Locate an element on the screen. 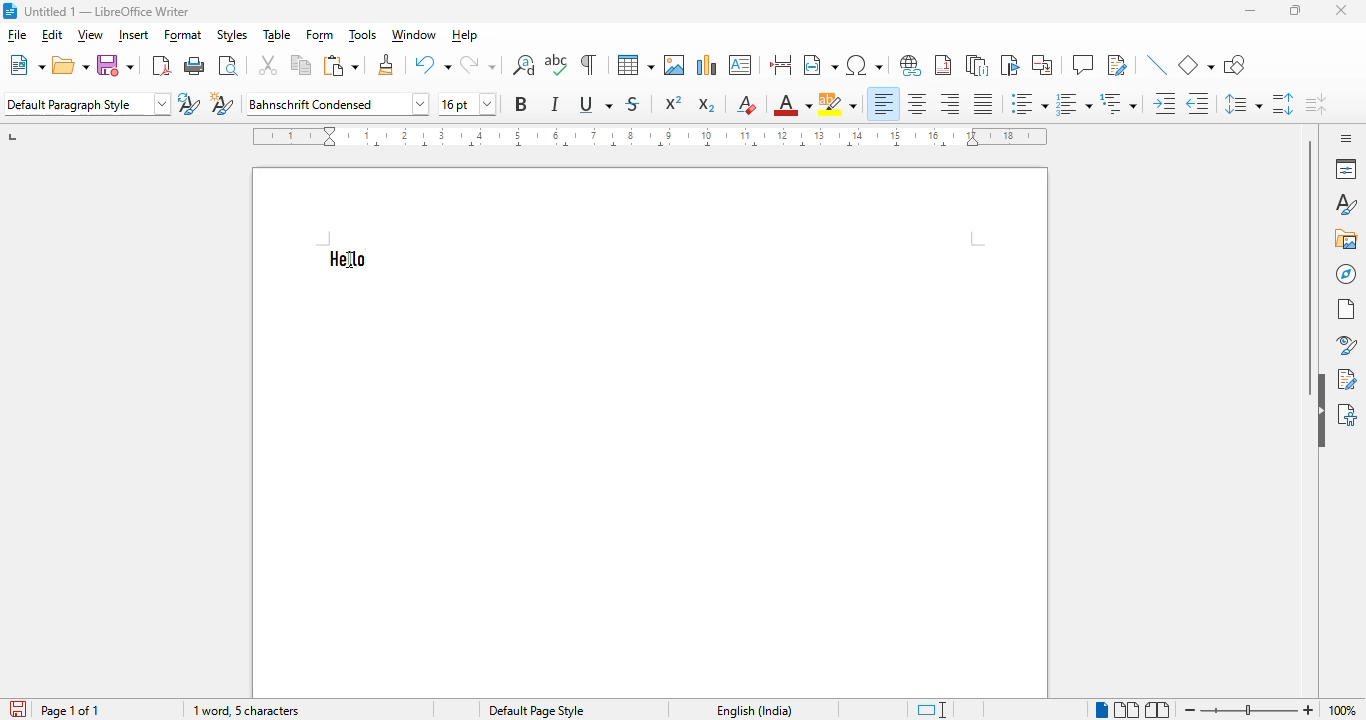 The image size is (1366, 720). set line spacing is located at coordinates (1243, 102).